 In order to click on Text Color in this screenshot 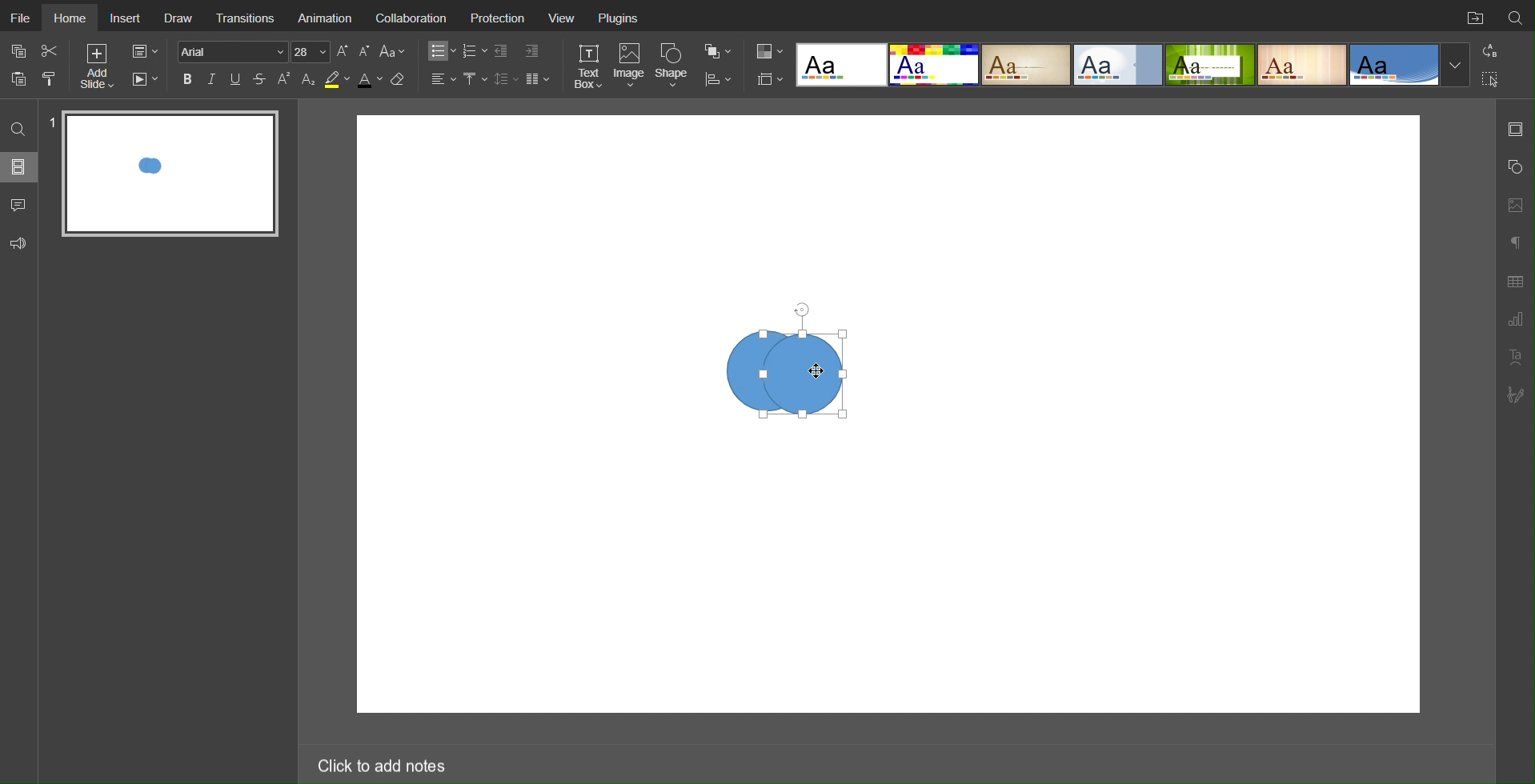, I will do `click(369, 80)`.